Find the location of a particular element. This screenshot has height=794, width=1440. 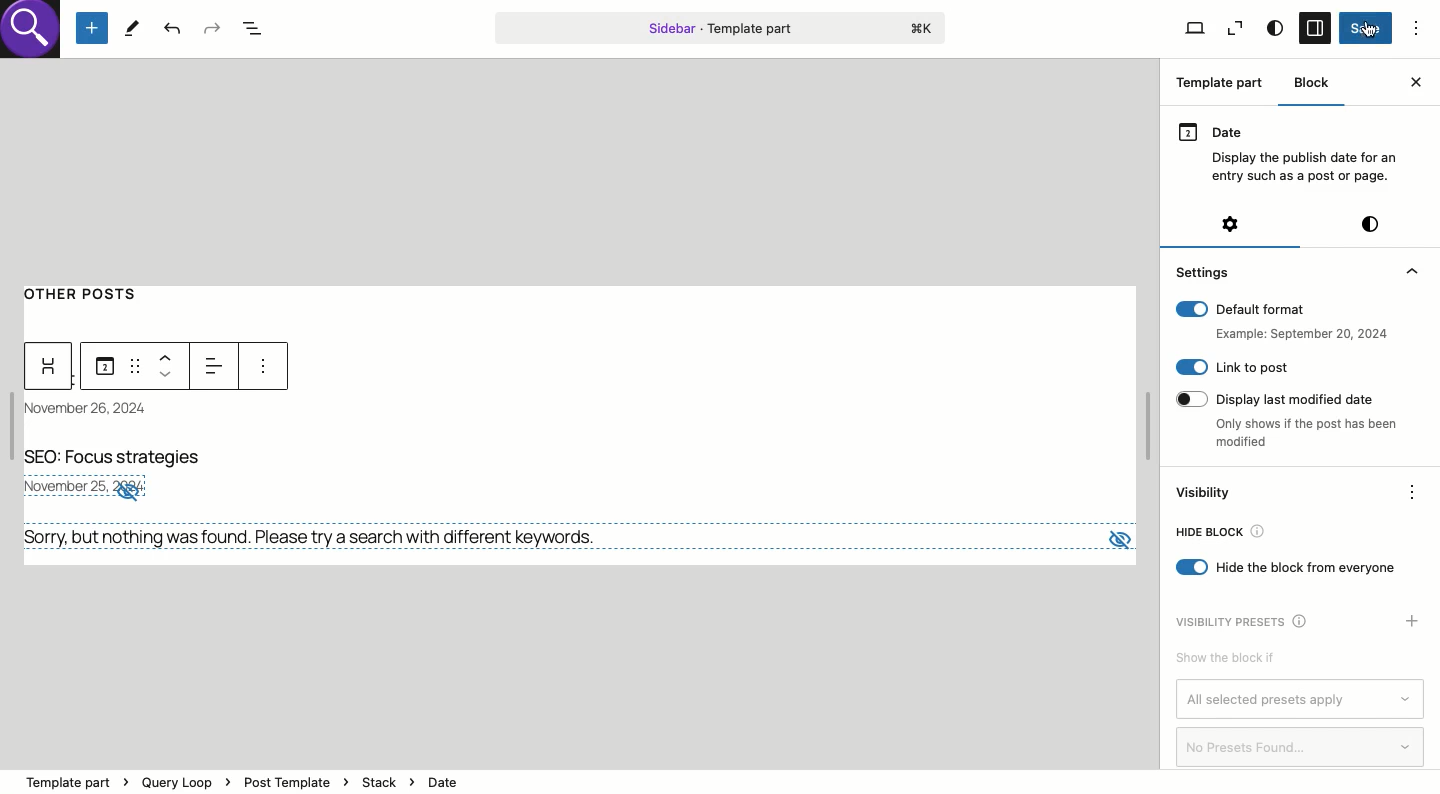

Add new block is located at coordinates (92, 29).